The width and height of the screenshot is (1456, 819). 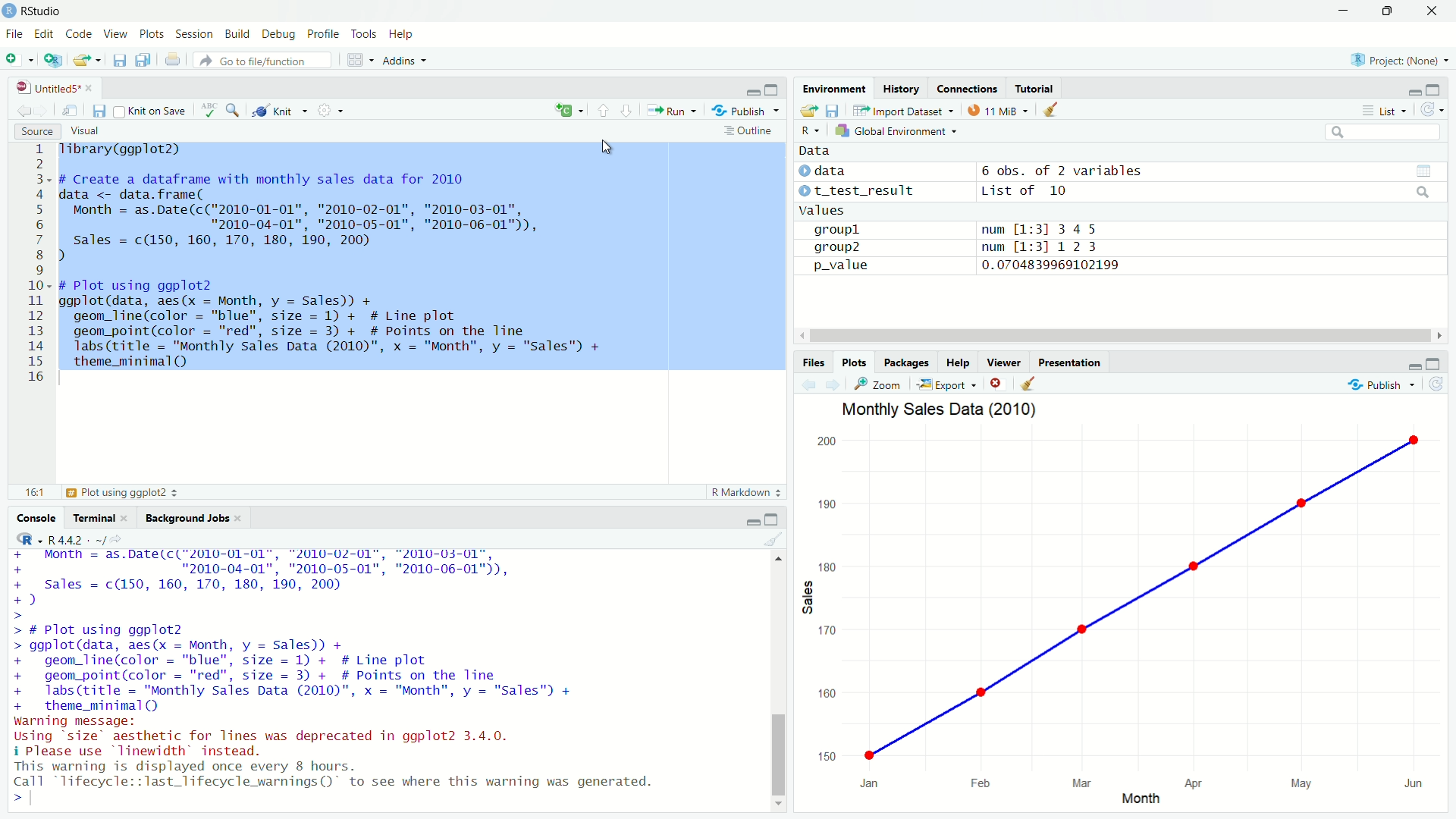 I want to click on Outline, so click(x=749, y=130).